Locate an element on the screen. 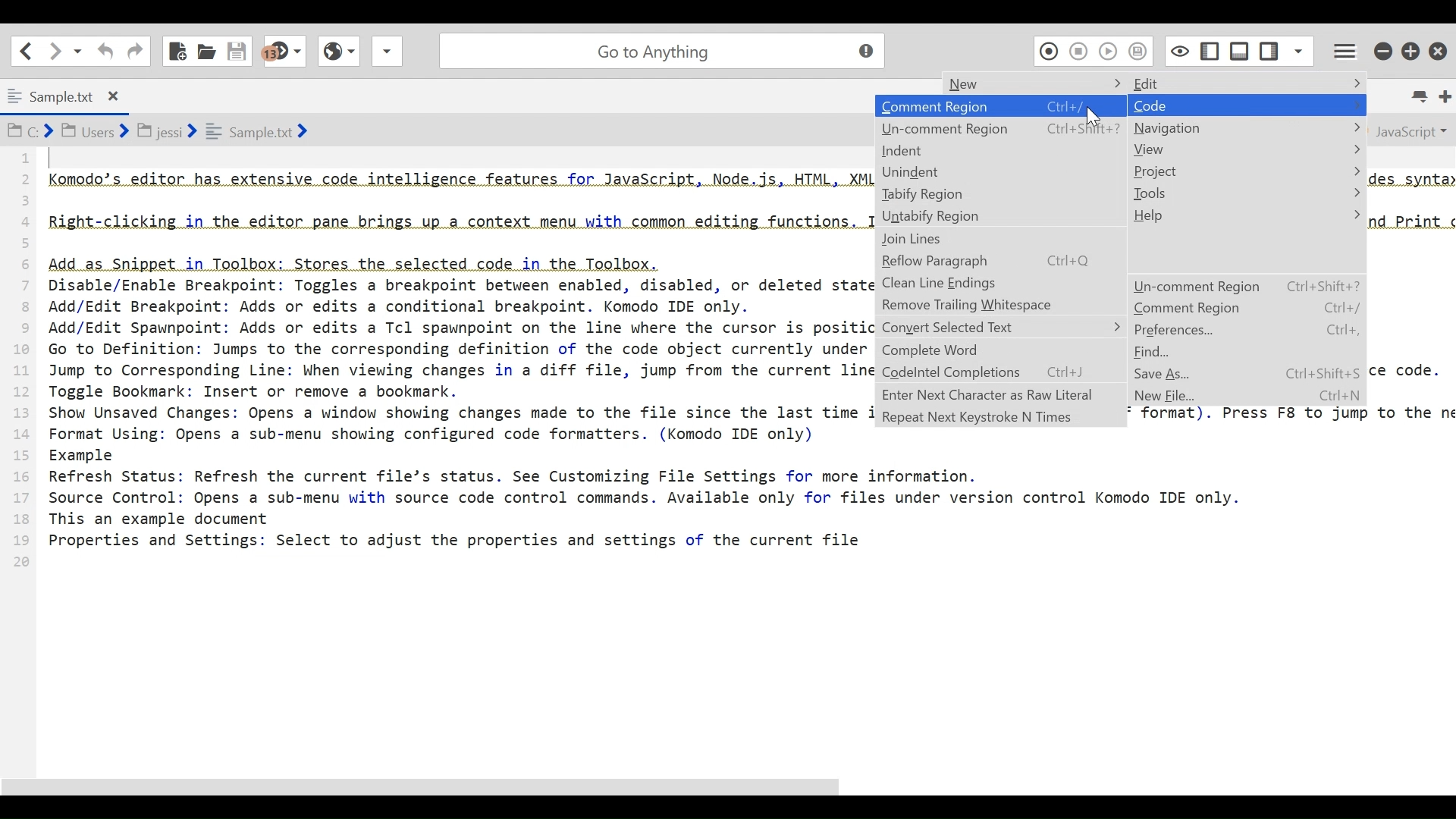 This screenshot has height=819, width=1456. Preferences is located at coordinates (1245, 331).